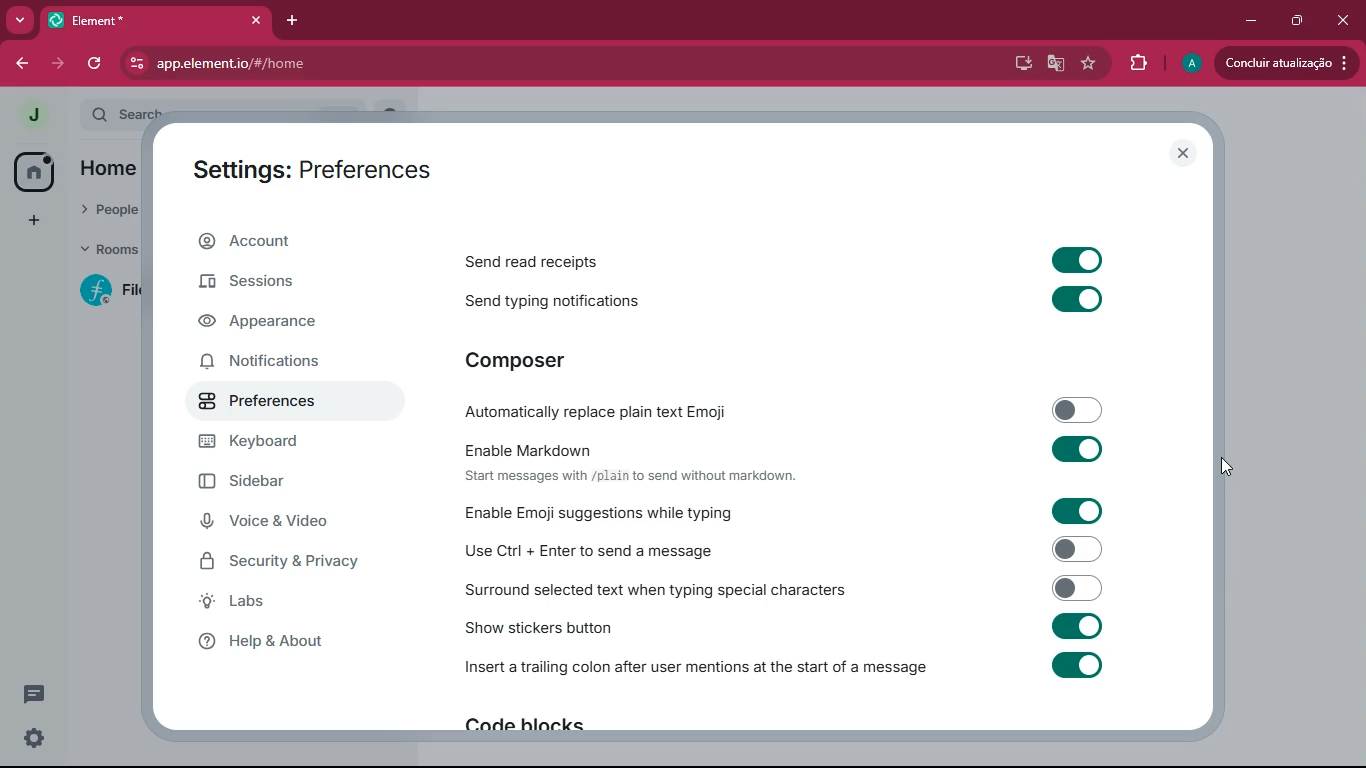 This screenshot has height=768, width=1366. What do you see at coordinates (1228, 467) in the screenshot?
I see `cursor` at bounding box center [1228, 467].